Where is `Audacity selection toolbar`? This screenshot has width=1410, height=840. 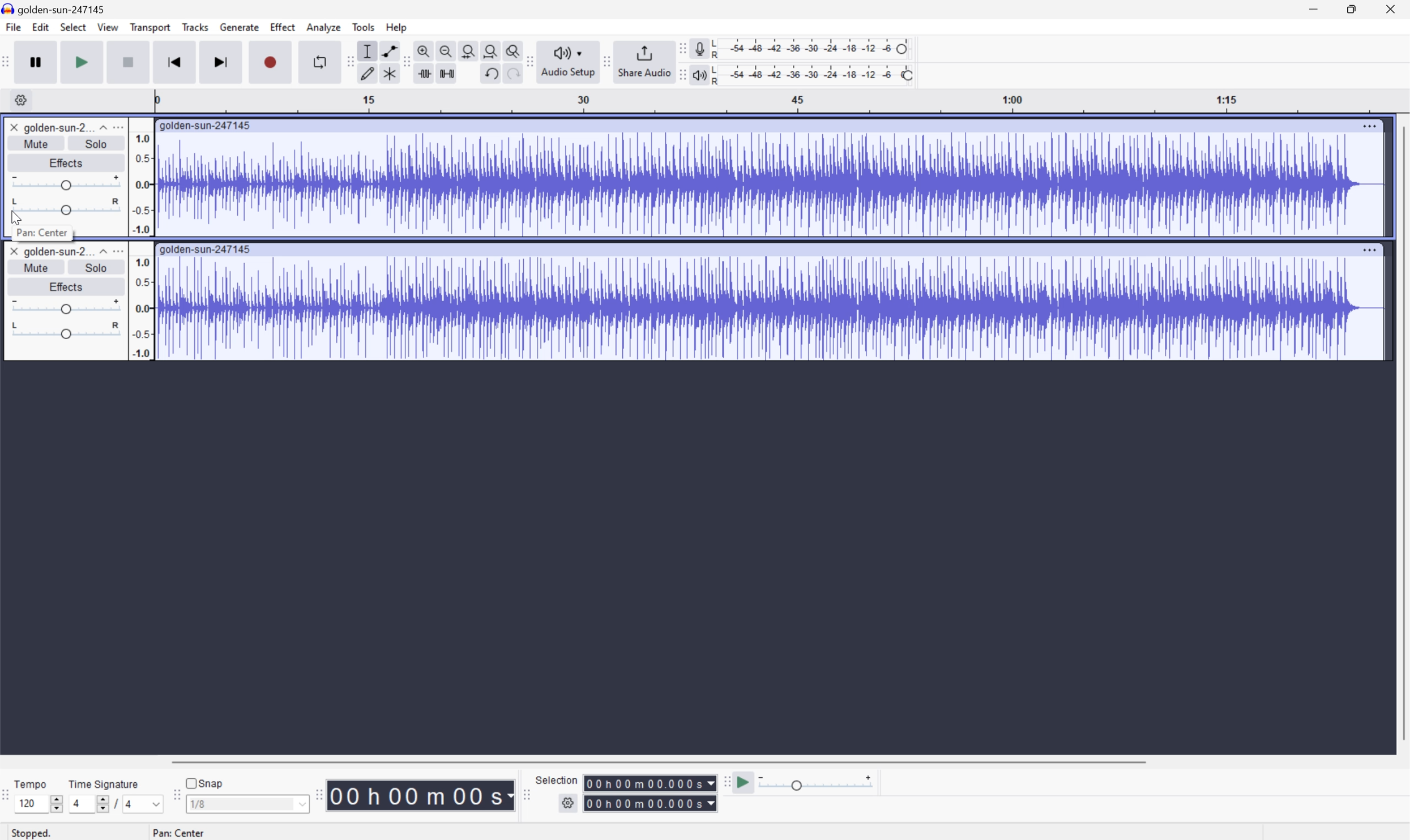 Audacity selection toolbar is located at coordinates (523, 792).